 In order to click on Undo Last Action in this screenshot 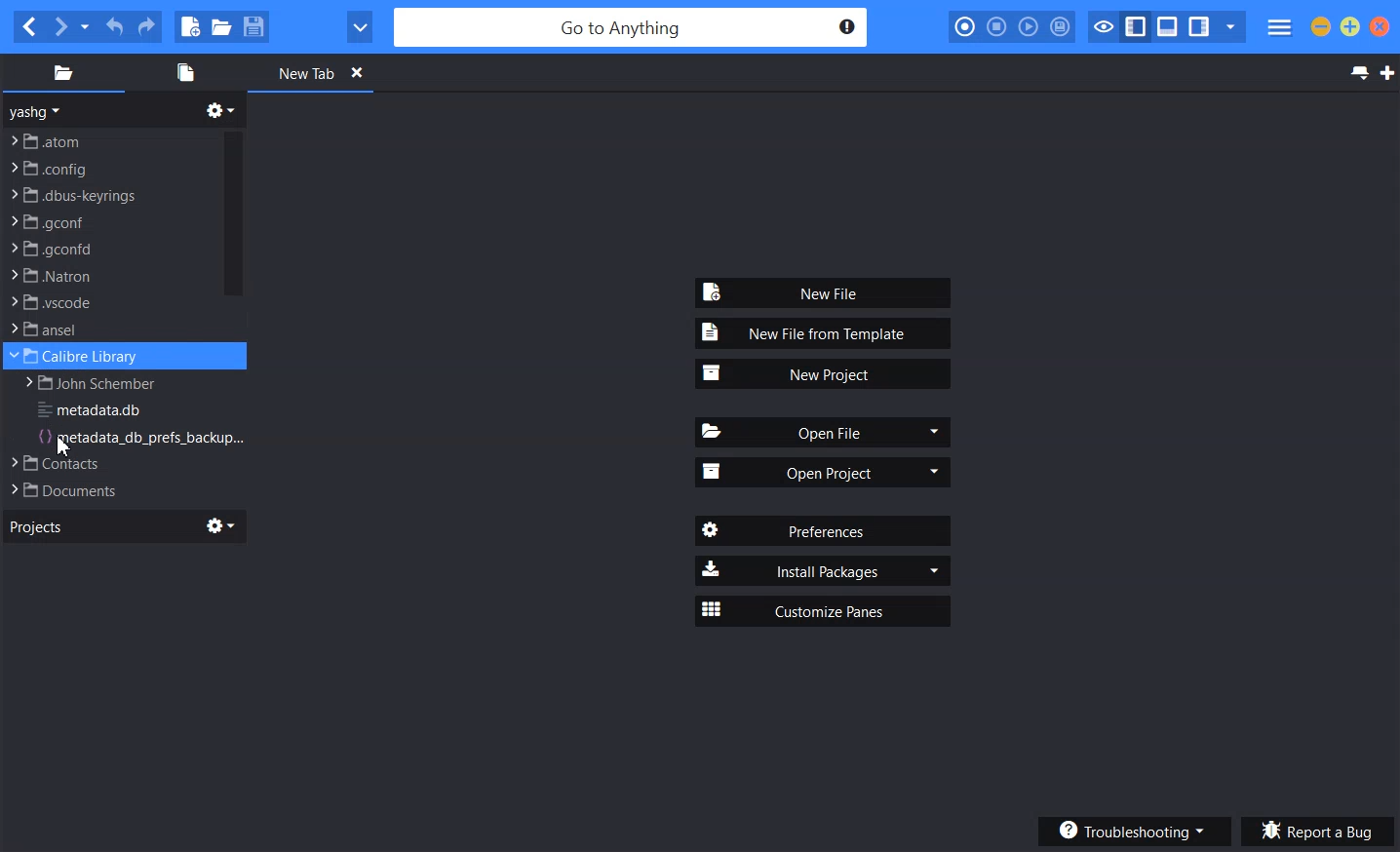, I will do `click(116, 27)`.